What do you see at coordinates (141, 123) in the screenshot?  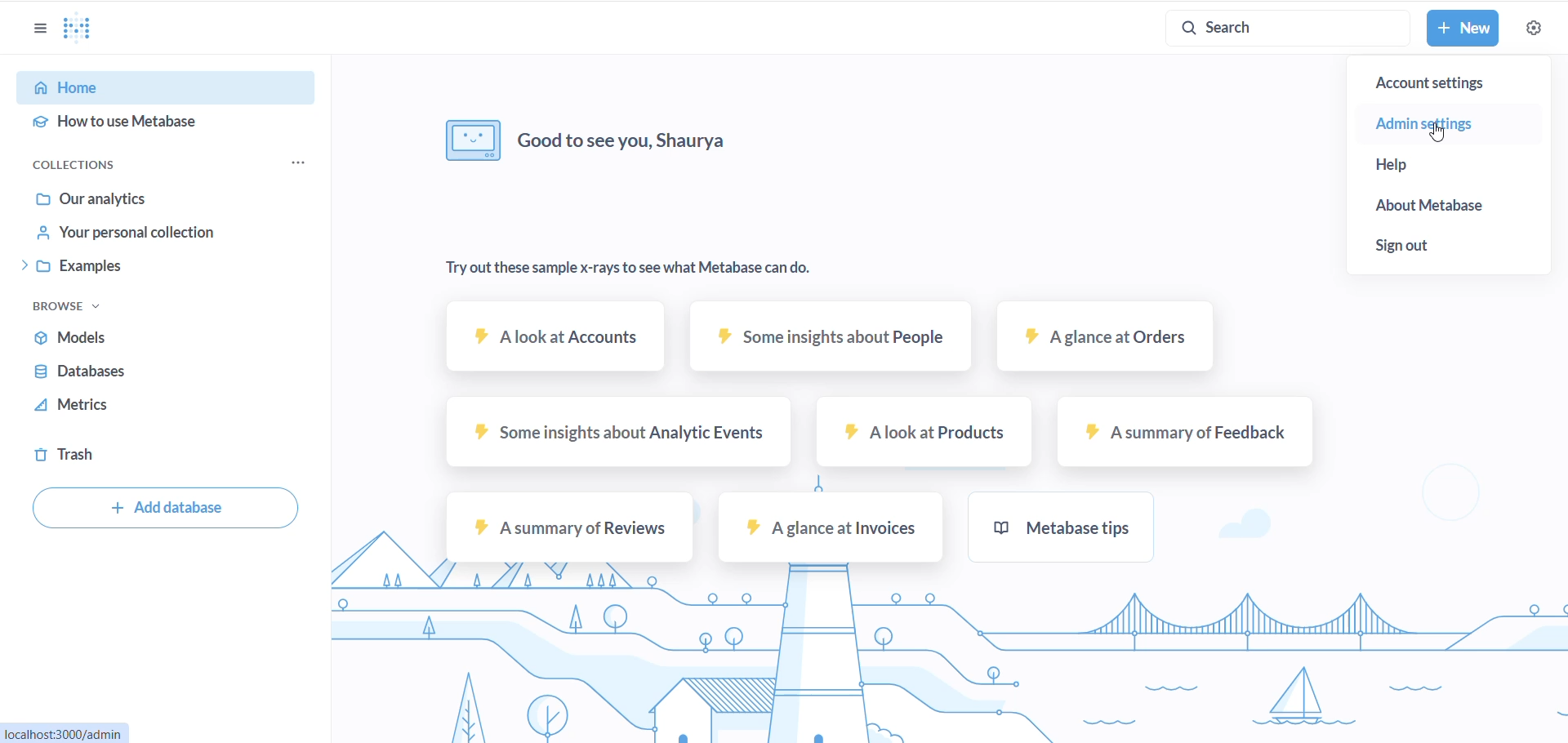 I see `HOW TO USE METABASE` at bounding box center [141, 123].